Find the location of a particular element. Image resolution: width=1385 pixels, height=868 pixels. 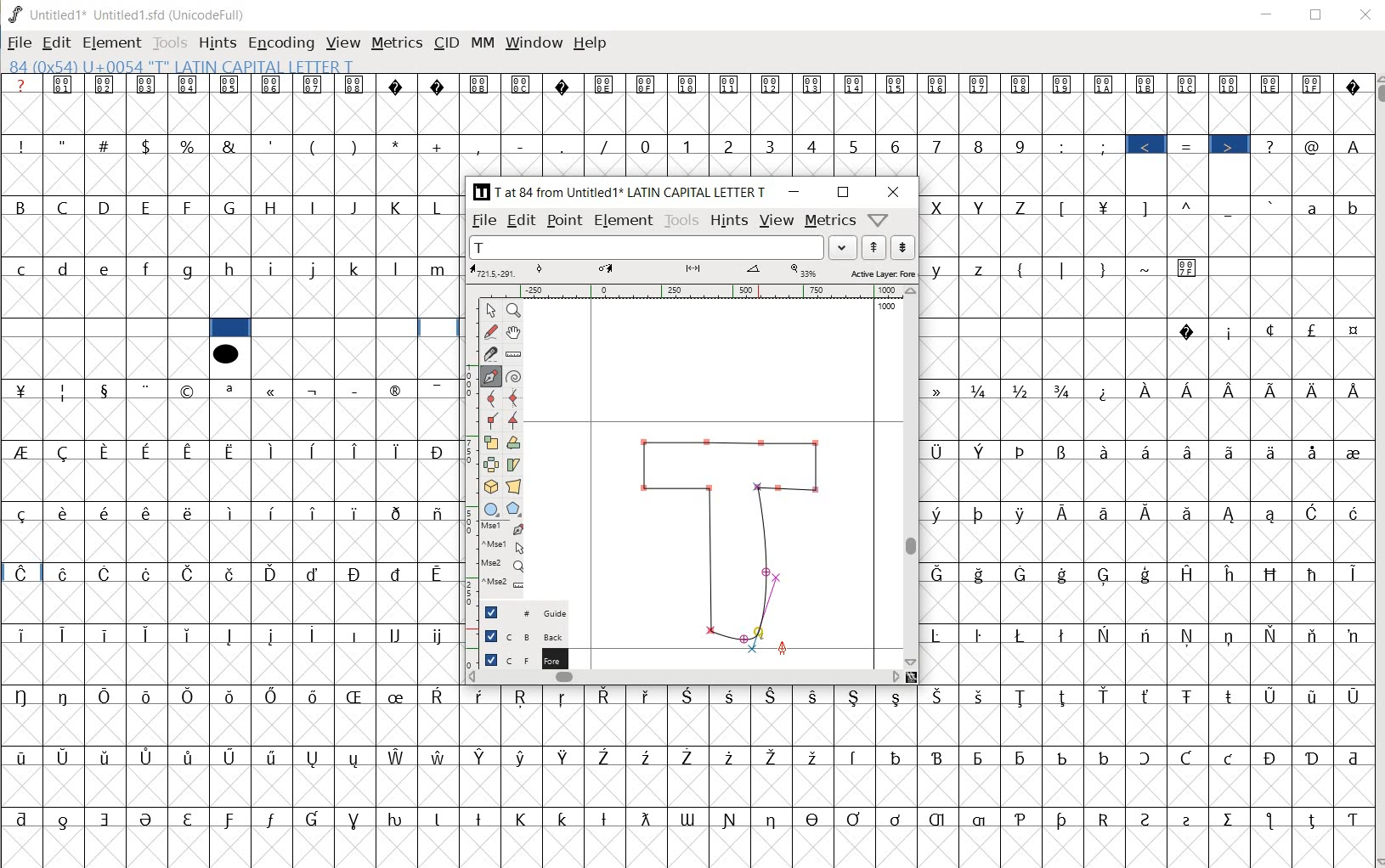

Symbol is located at coordinates (1105, 450).